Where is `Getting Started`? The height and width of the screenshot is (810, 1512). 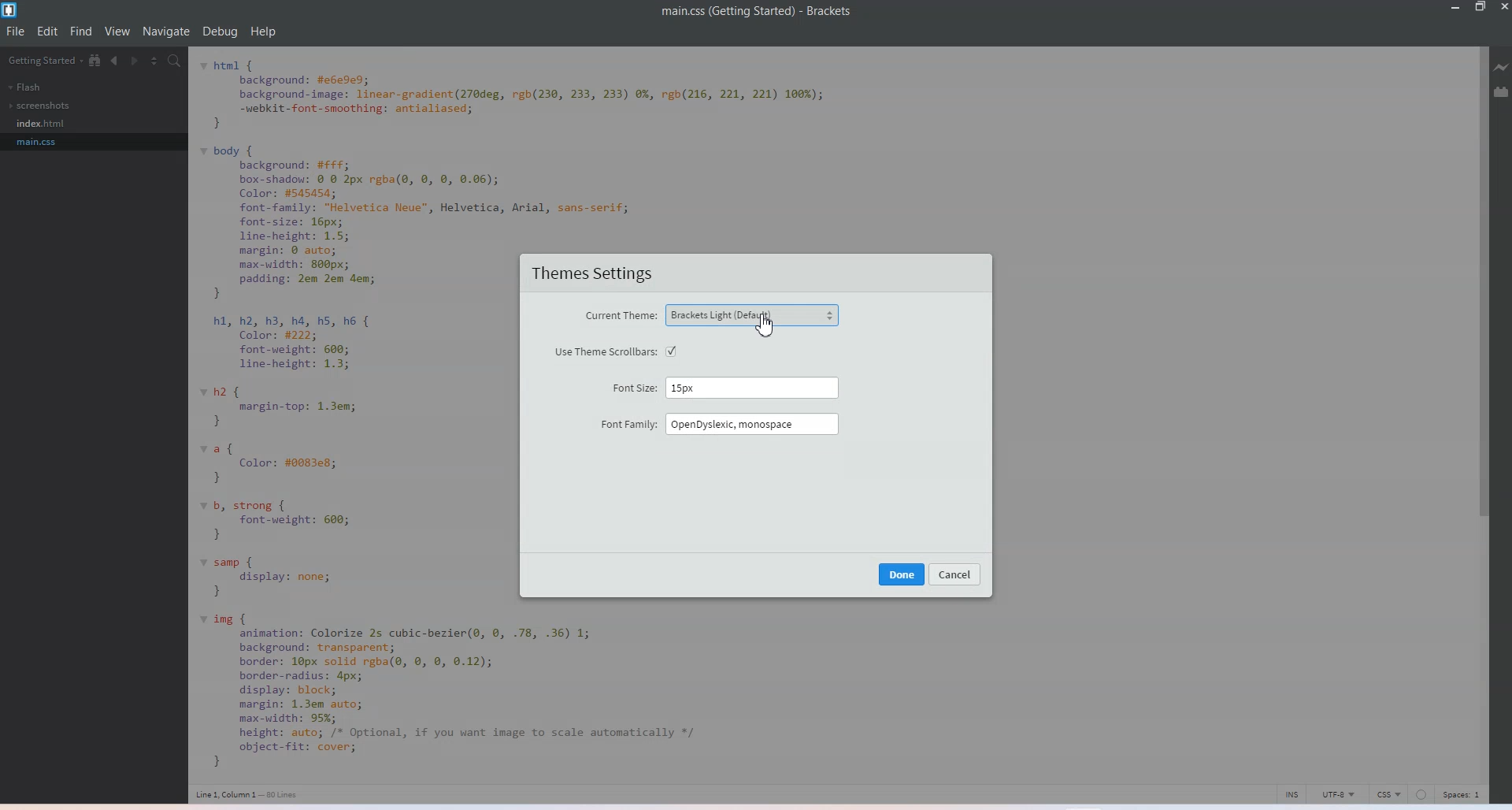 Getting Started is located at coordinates (46, 61).